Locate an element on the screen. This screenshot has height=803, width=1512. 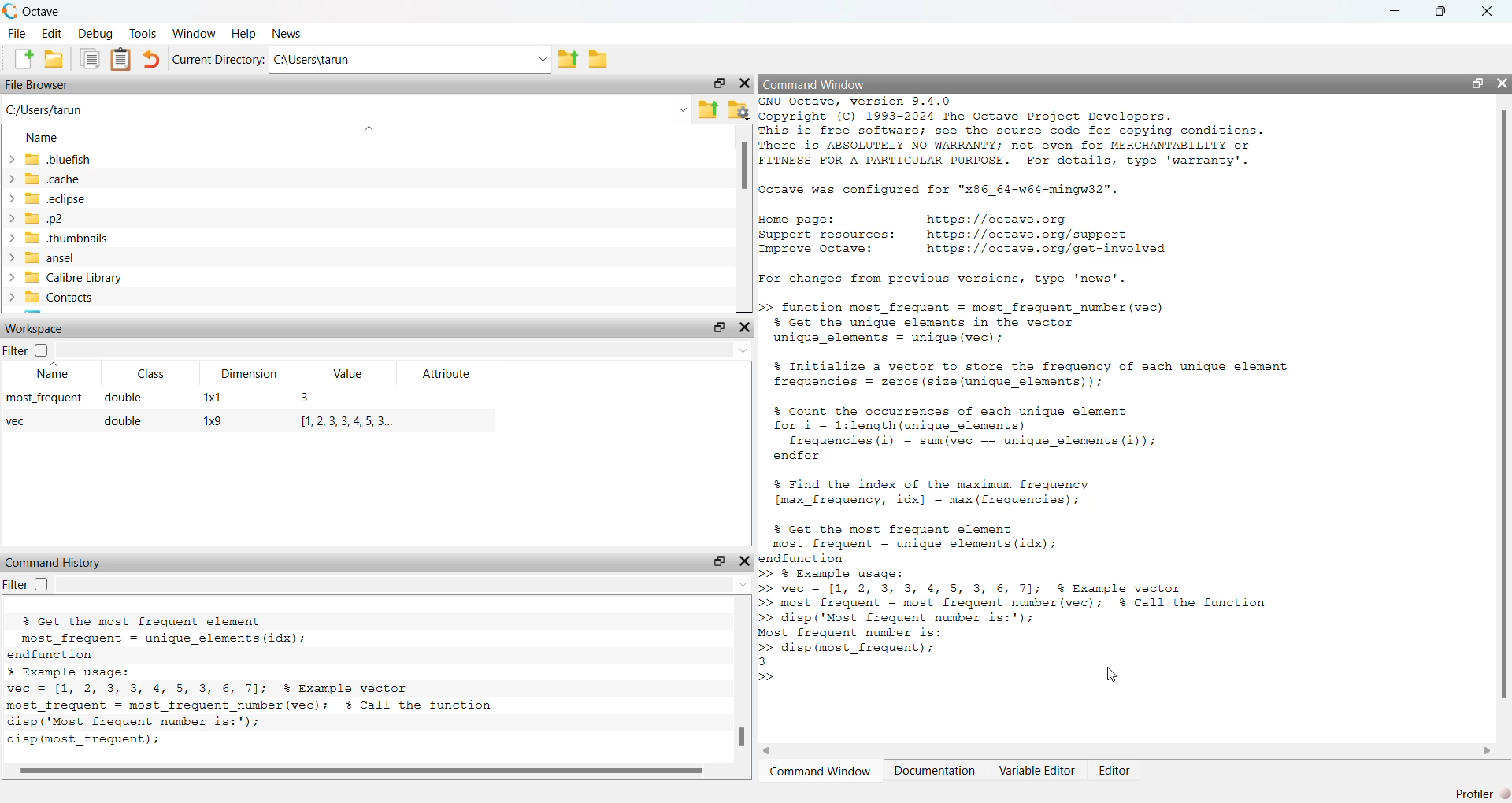
Window is located at coordinates (194, 33).